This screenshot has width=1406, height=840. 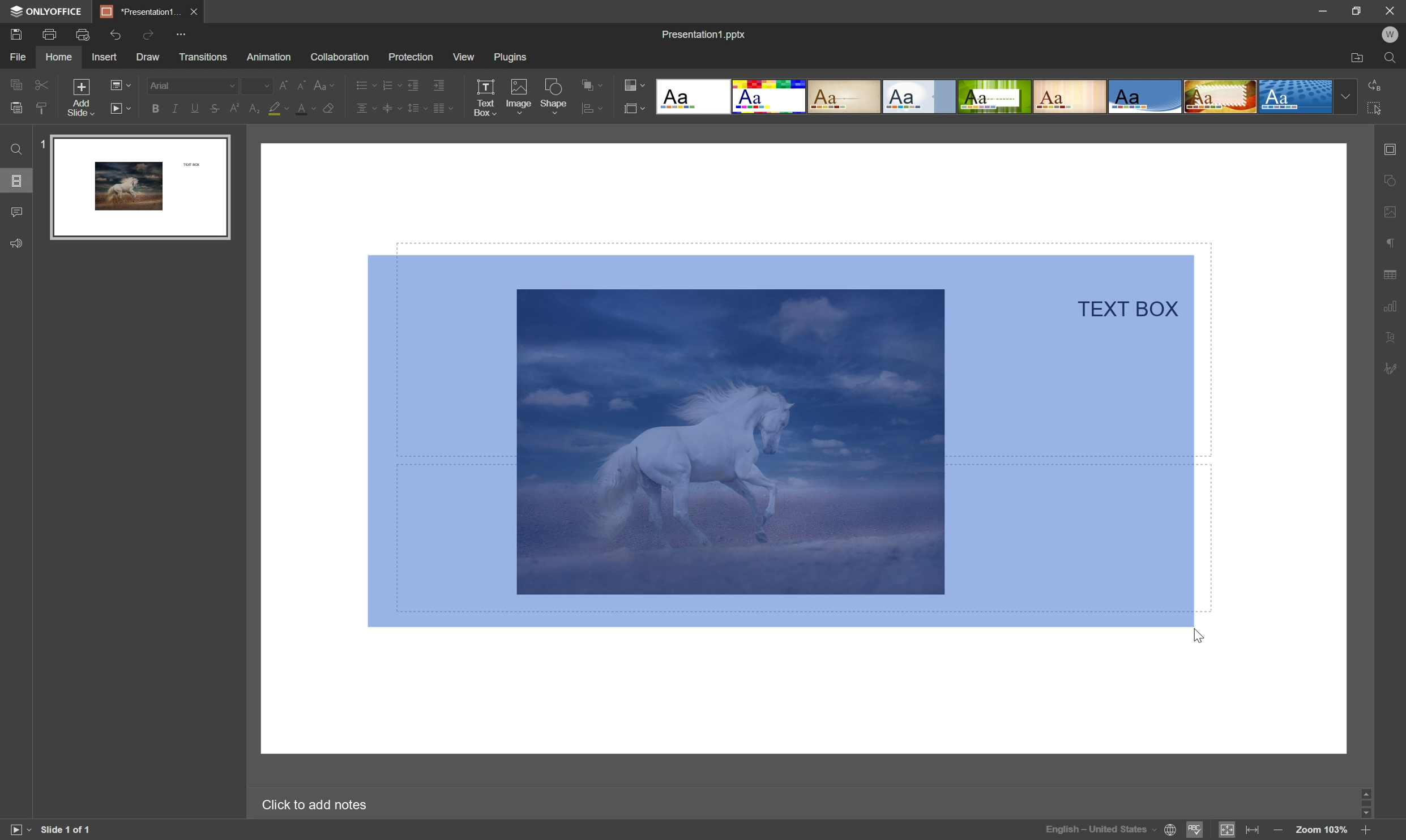 I want to click on italic, so click(x=175, y=108).